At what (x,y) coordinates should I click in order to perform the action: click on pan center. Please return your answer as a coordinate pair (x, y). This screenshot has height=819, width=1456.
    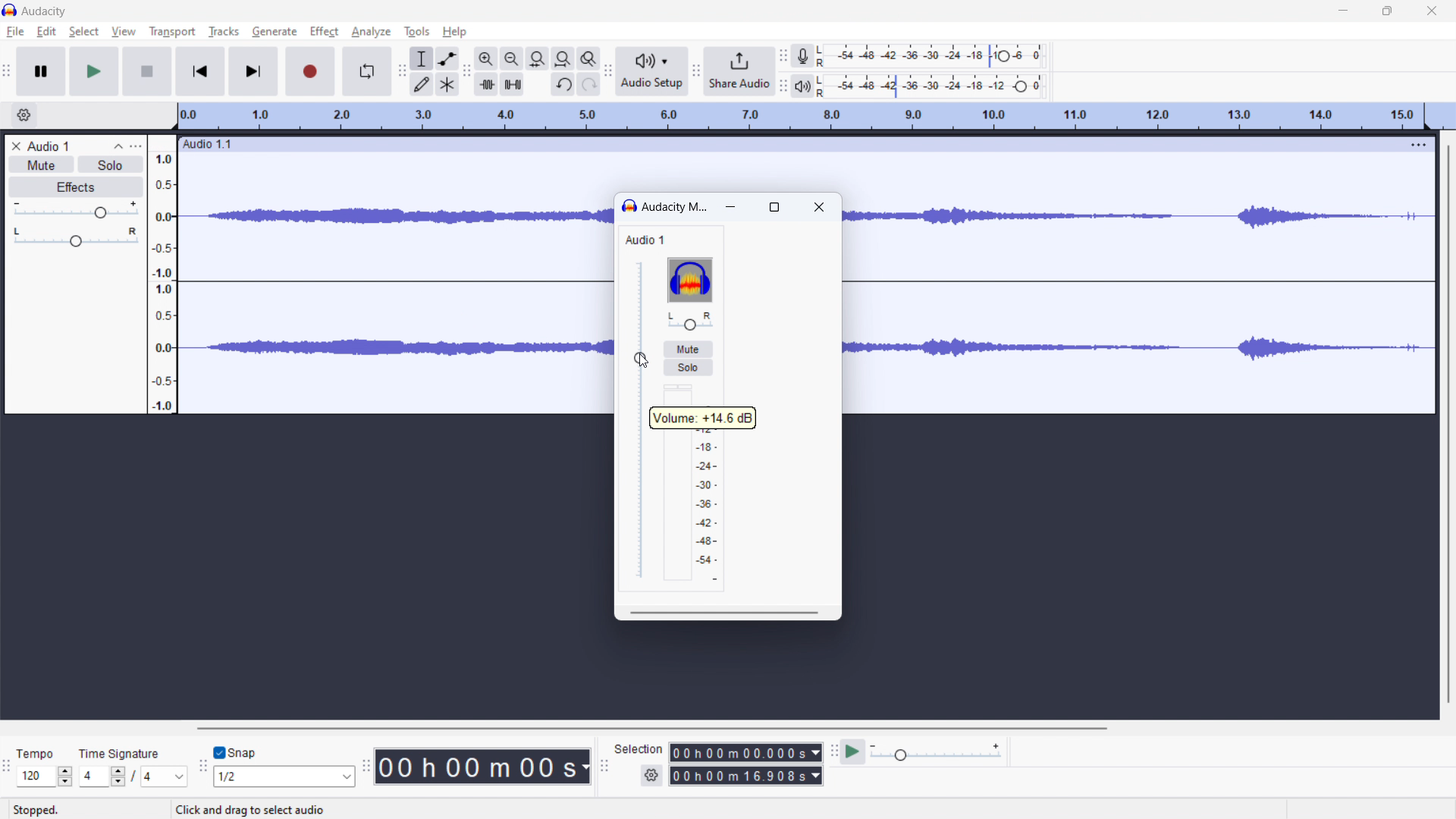
    Looking at the image, I should click on (689, 321).